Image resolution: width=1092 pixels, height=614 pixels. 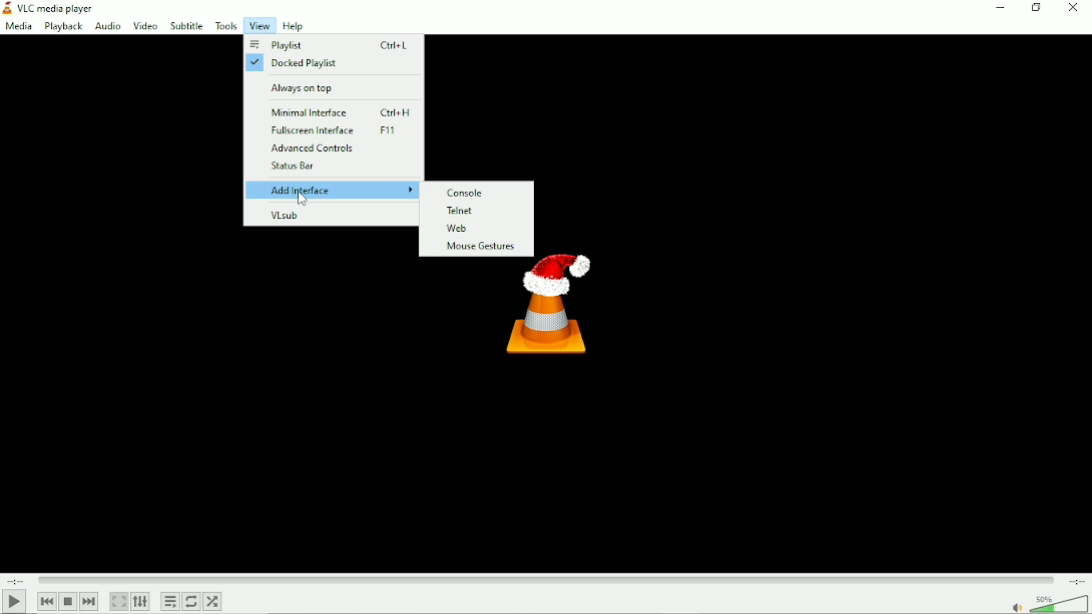 I want to click on Restore down, so click(x=1038, y=9).